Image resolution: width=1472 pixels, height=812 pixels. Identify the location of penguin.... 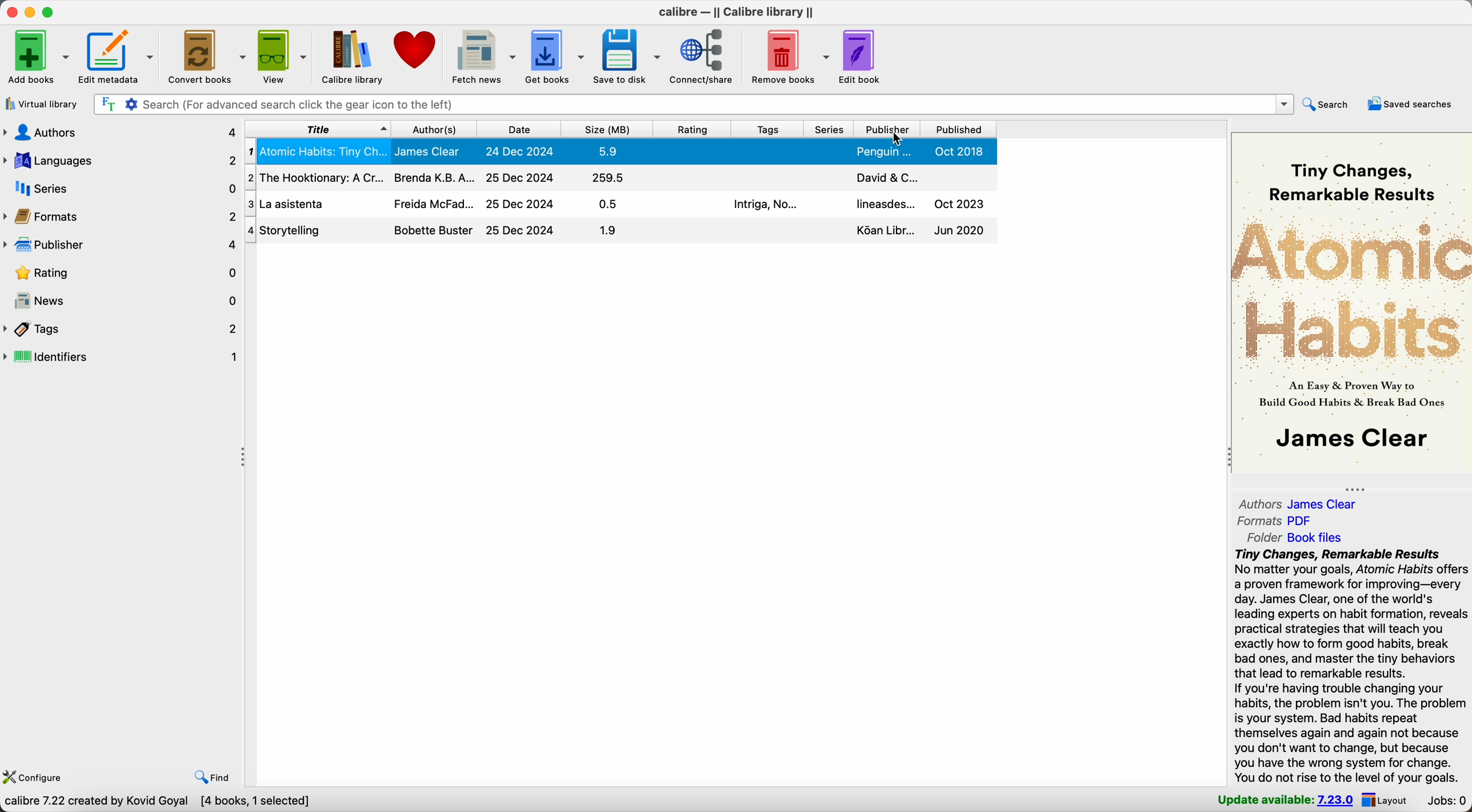
(881, 152).